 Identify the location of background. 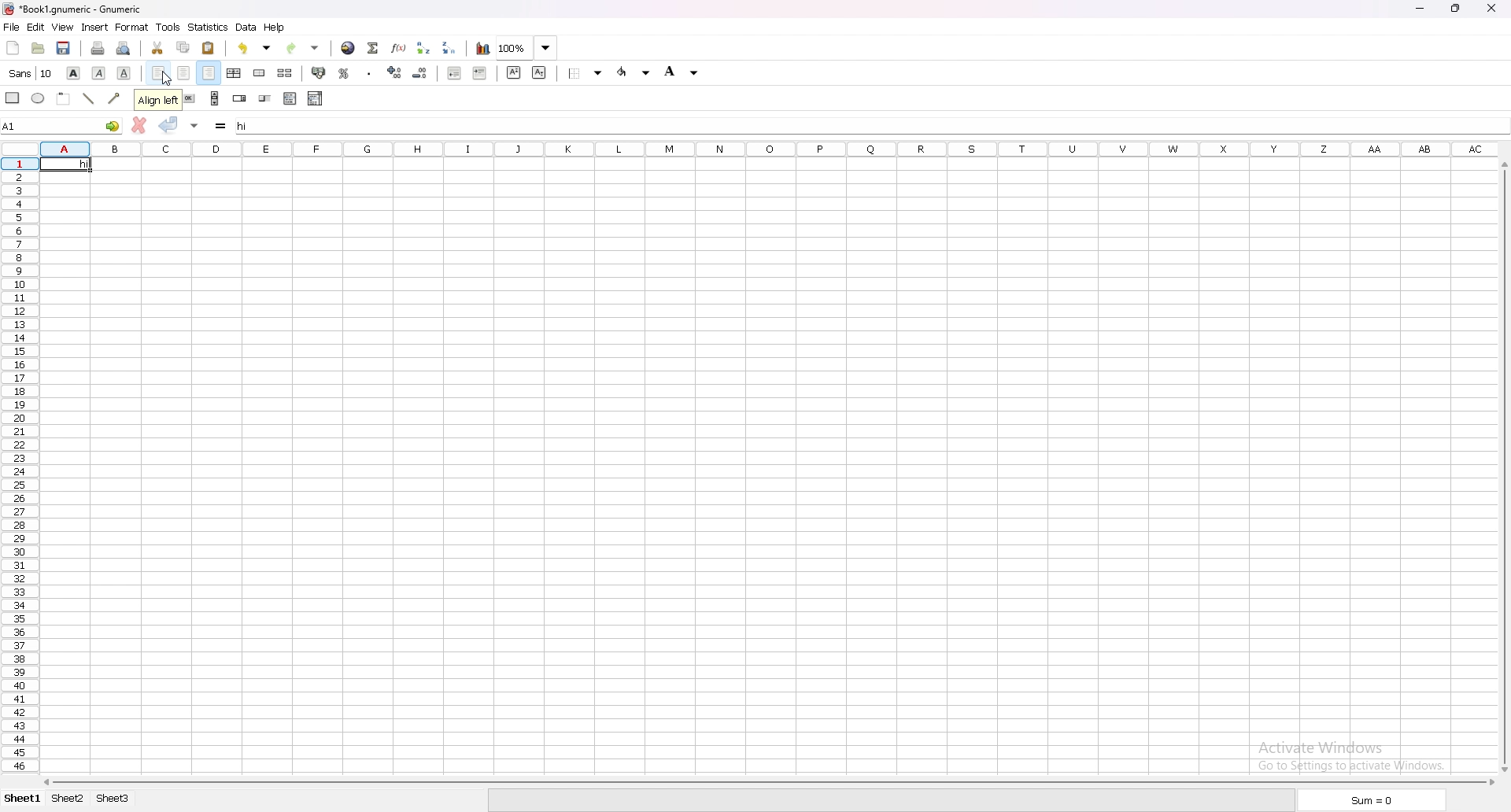
(683, 71).